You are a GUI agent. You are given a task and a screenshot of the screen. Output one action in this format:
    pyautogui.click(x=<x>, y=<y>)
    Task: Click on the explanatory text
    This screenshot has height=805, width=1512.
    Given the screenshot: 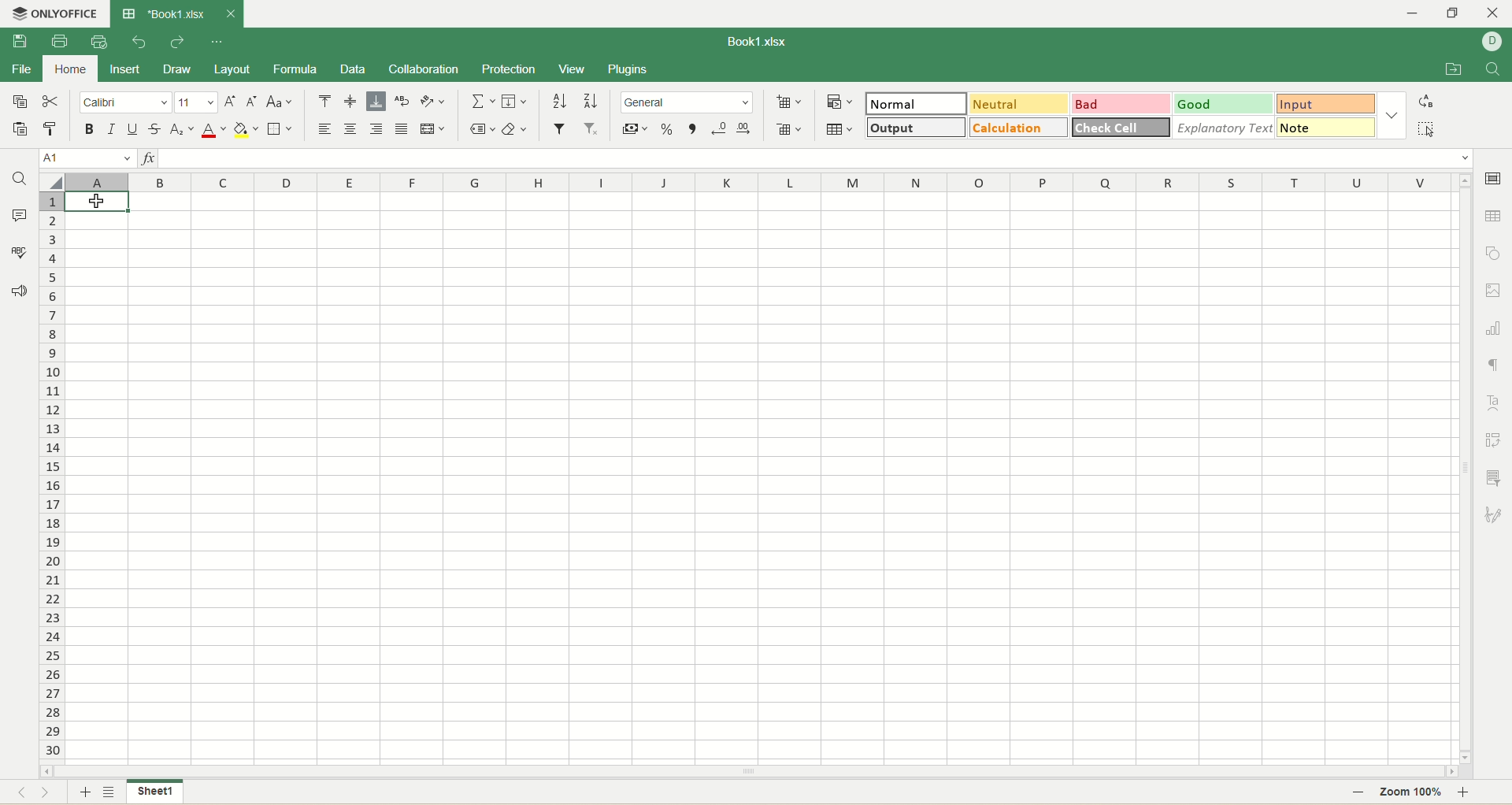 What is the action you would take?
    pyautogui.click(x=1222, y=128)
    